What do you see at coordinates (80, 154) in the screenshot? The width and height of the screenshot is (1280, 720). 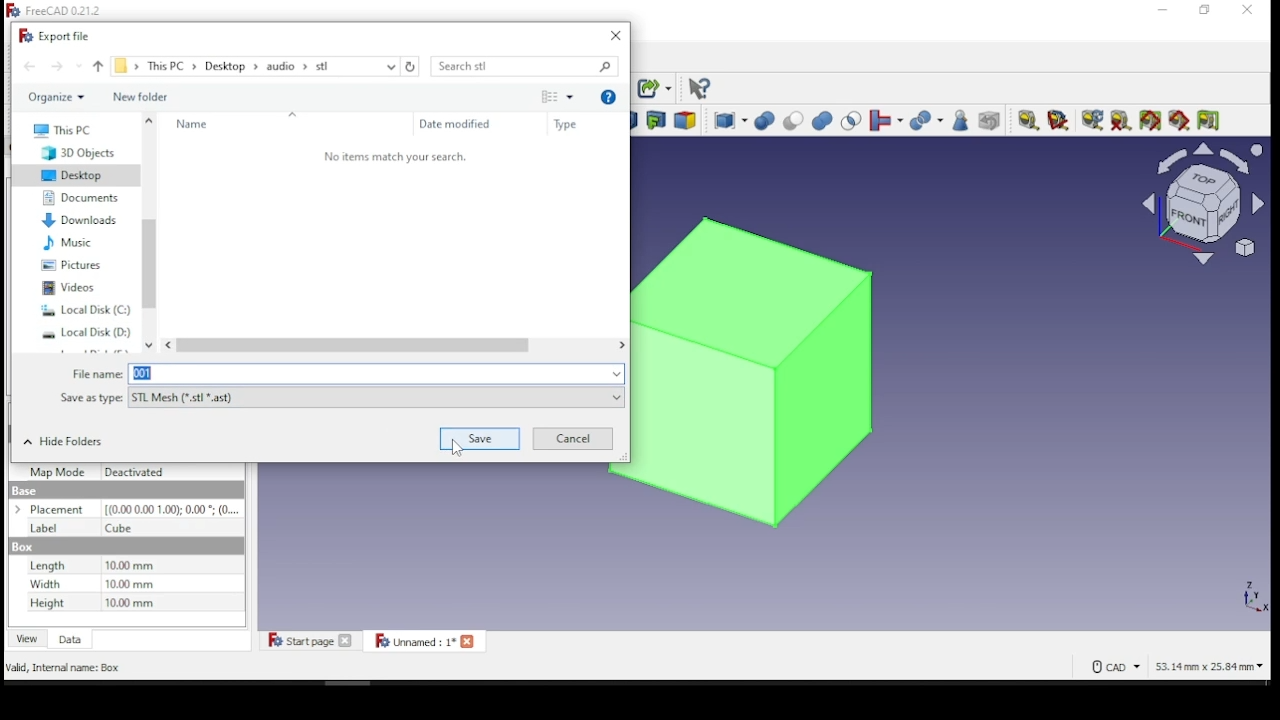 I see `3D objects` at bounding box center [80, 154].